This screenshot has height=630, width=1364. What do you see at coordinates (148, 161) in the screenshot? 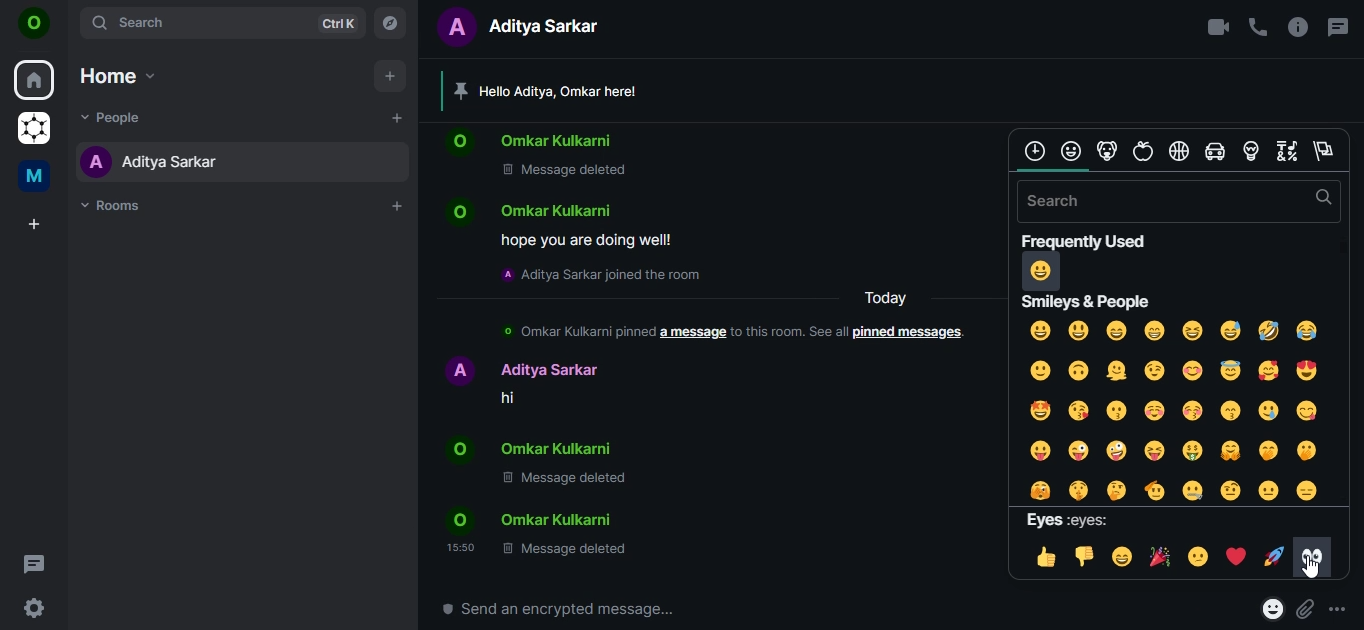
I see `aditya sarkar` at bounding box center [148, 161].